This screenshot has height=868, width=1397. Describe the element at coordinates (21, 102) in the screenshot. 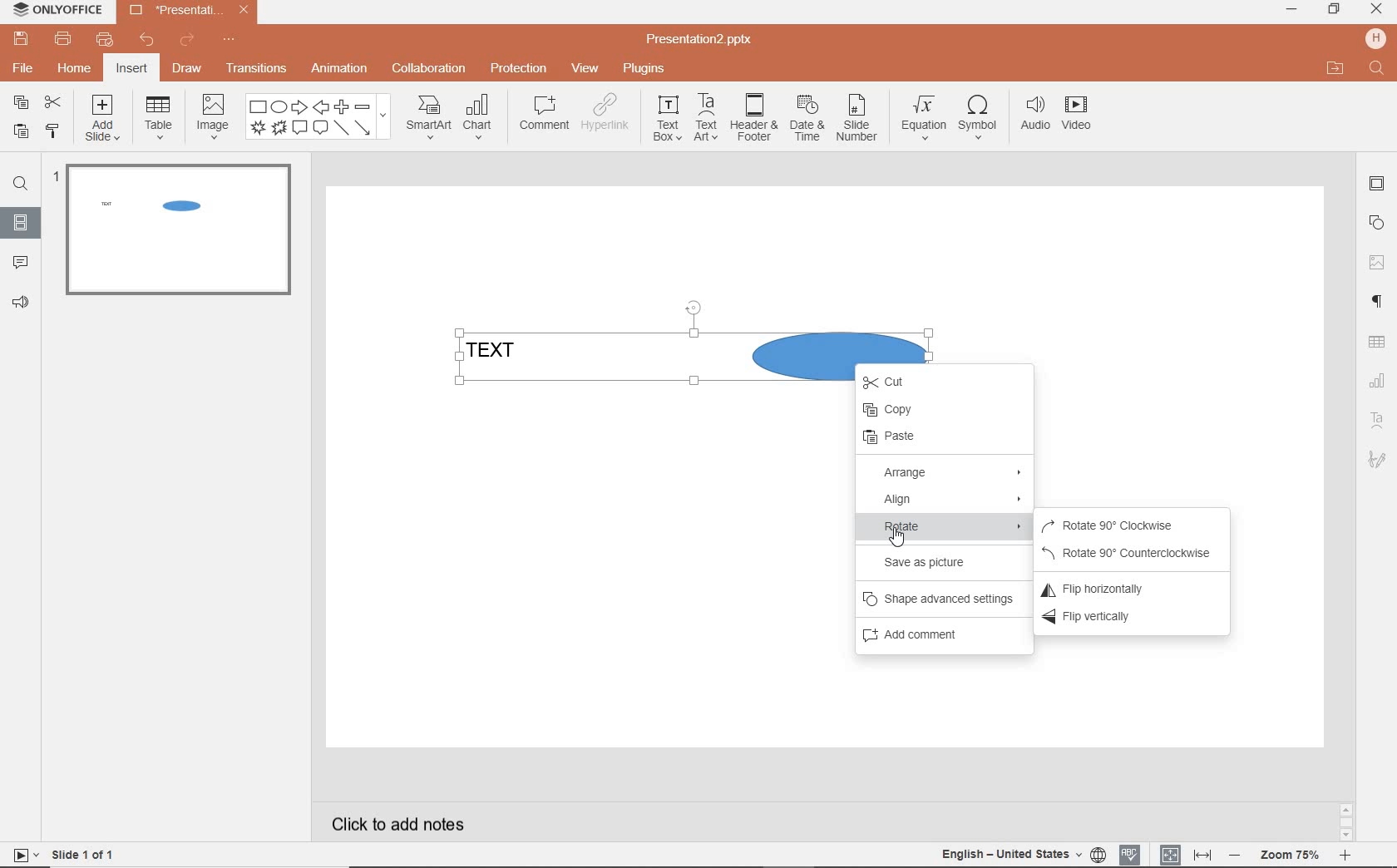

I see `copy` at that location.